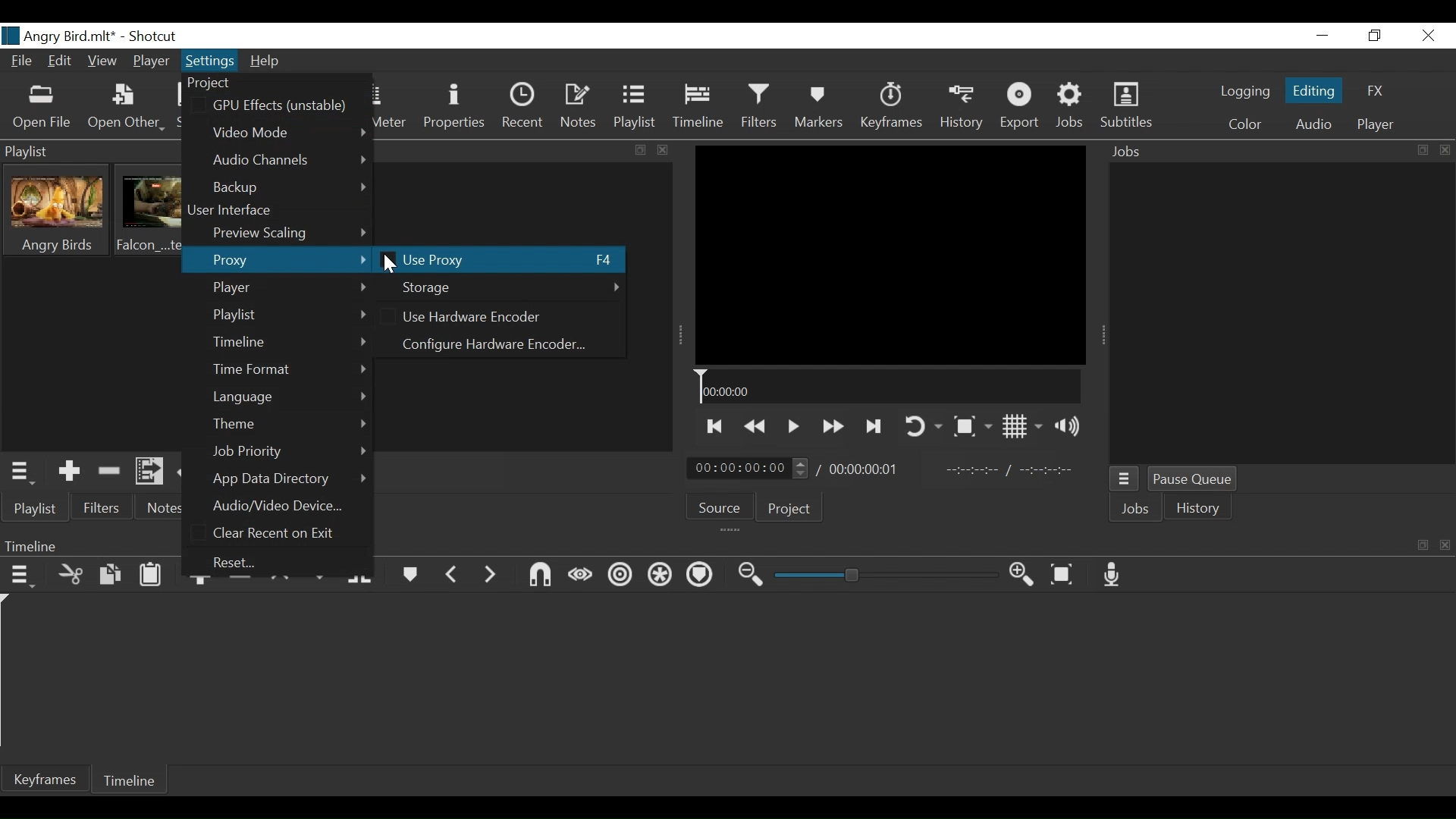 This screenshot has width=1456, height=819. What do you see at coordinates (1018, 427) in the screenshot?
I see `Toggle Display grid on player` at bounding box center [1018, 427].